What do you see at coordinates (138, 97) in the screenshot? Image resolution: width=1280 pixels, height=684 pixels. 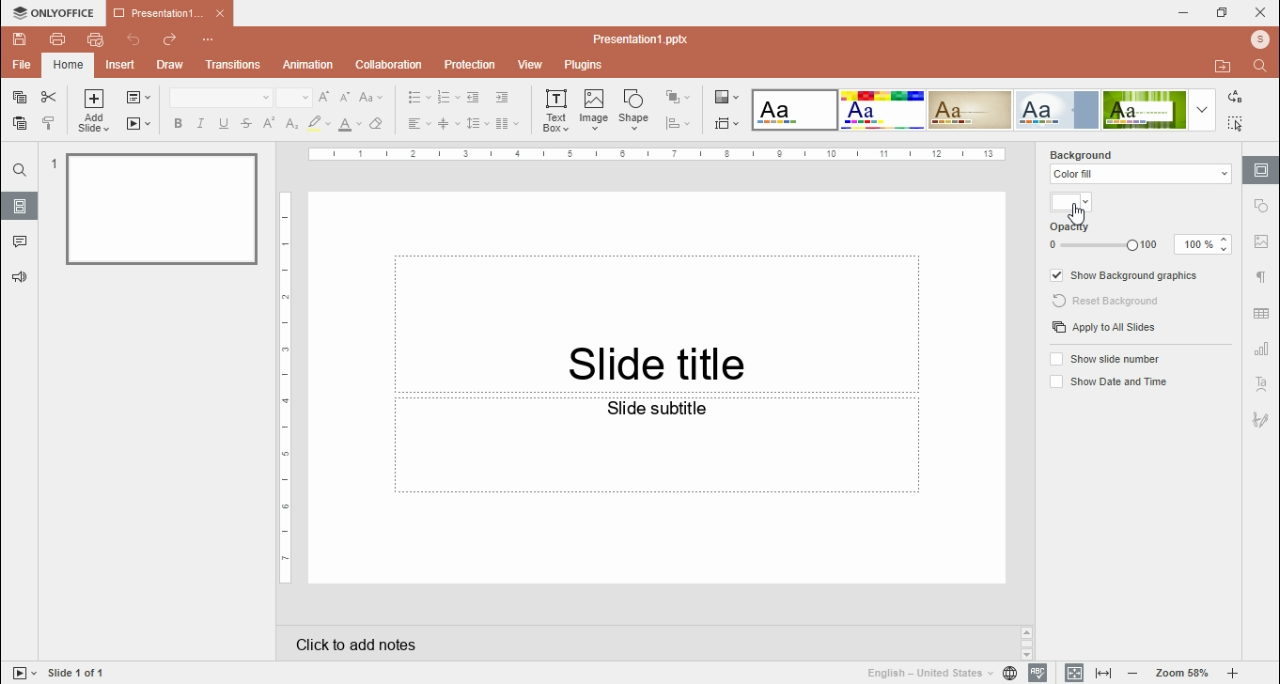 I see `change slide layout` at bounding box center [138, 97].